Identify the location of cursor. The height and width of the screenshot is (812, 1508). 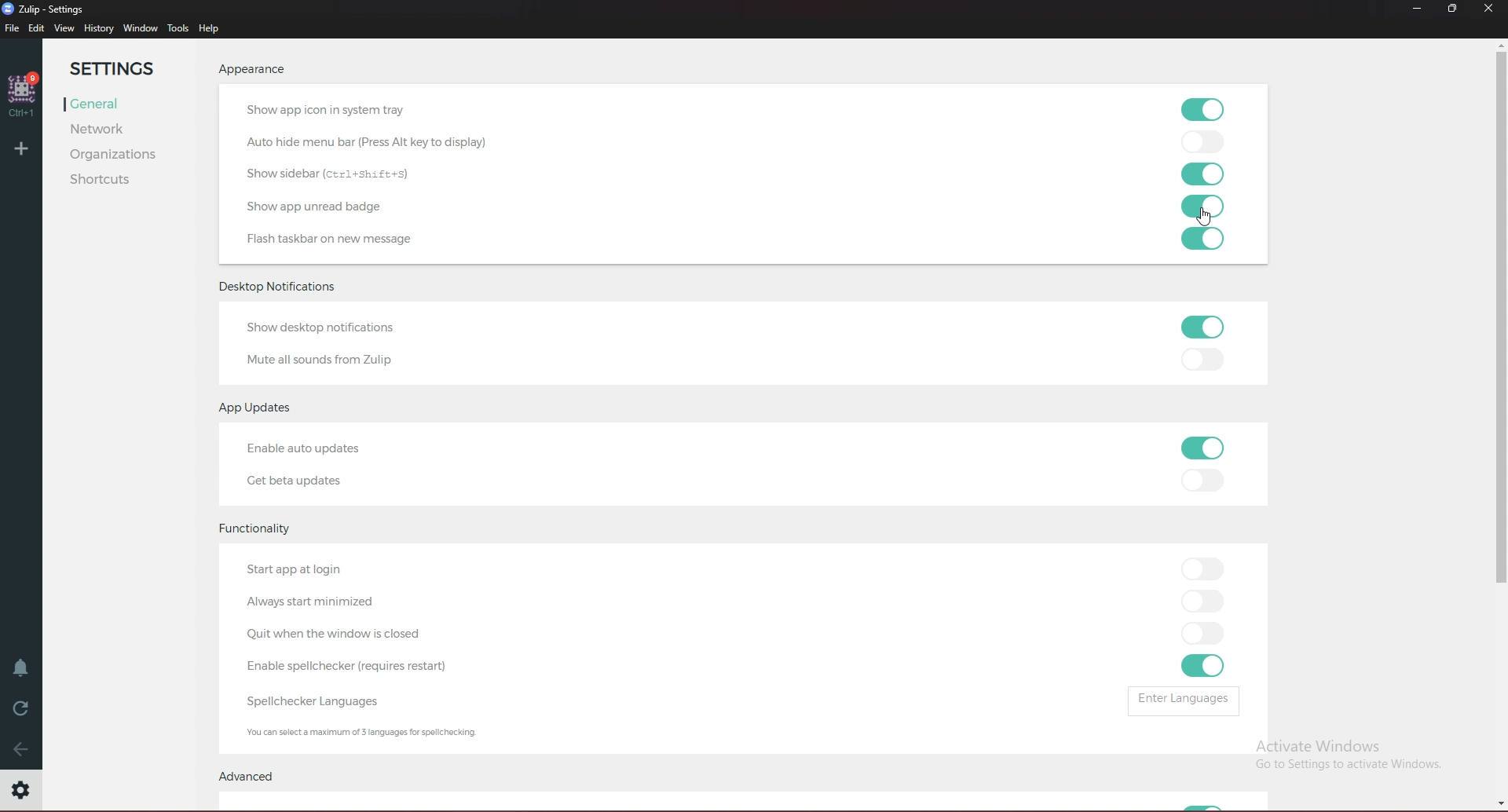
(1204, 217).